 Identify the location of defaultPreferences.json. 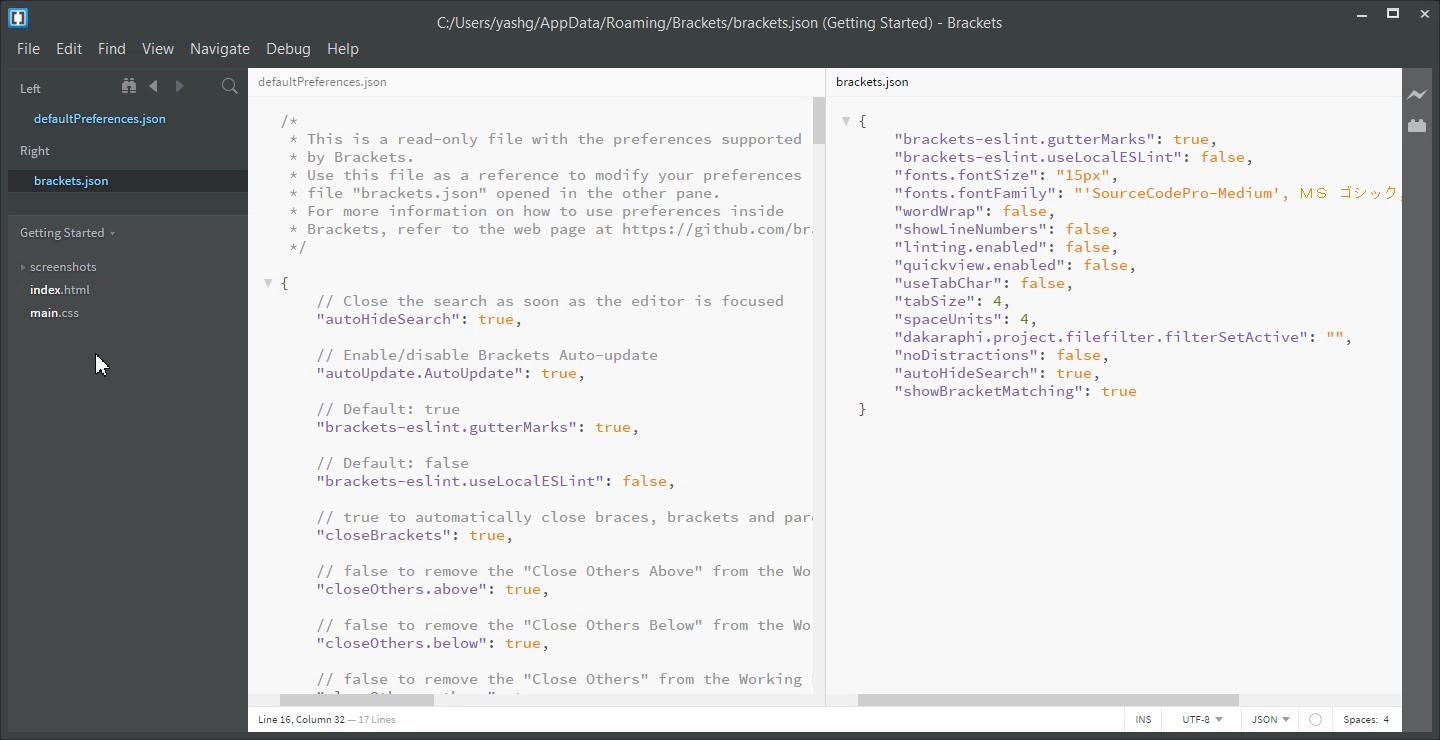
(113, 119).